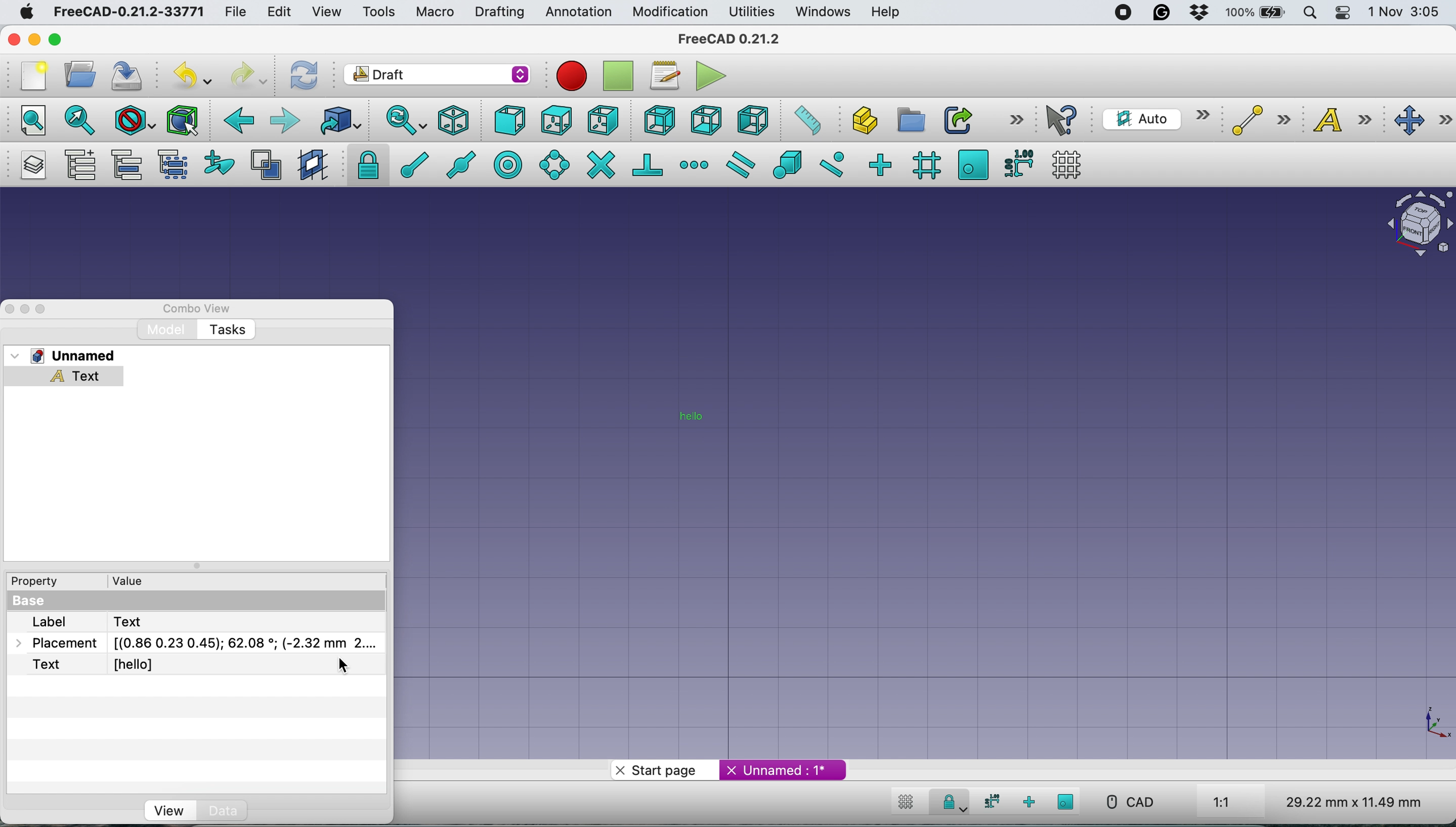  What do you see at coordinates (552, 163) in the screenshot?
I see `snap angel` at bounding box center [552, 163].